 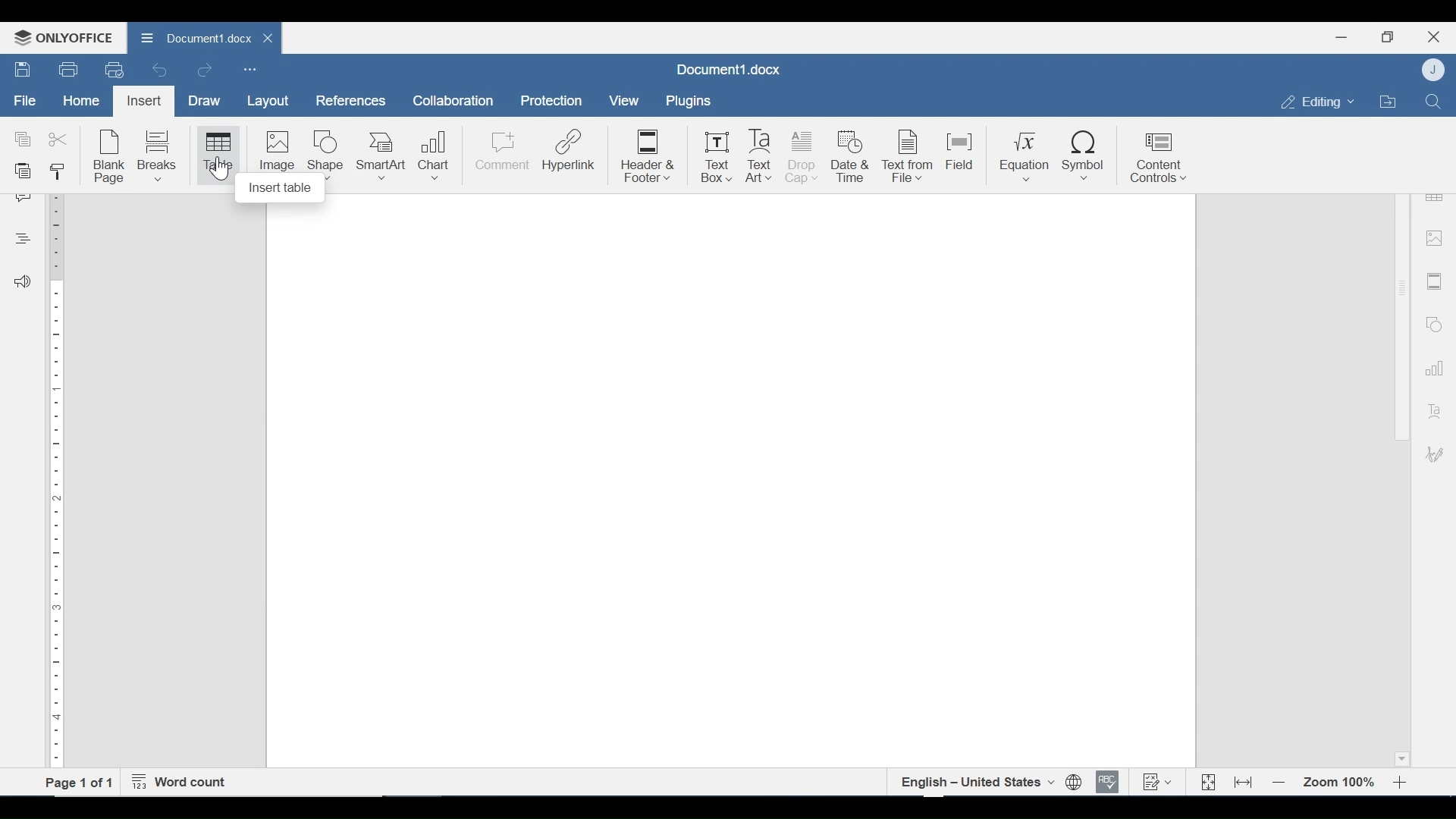 What do you see at coordinates (1401, 287) in the screenshot?
I see `Scroll bar` at bounding box center [1401, 287].